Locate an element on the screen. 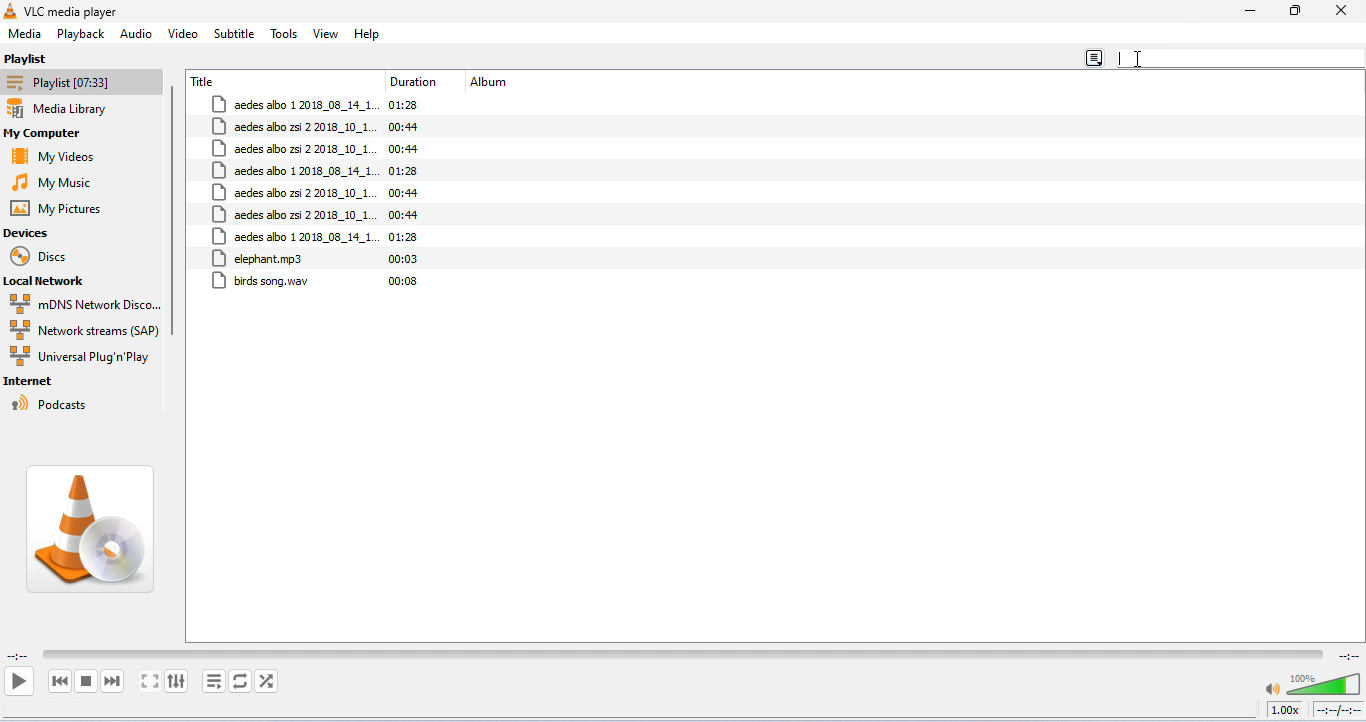 The image size is (1366, 722). toggle between loop is located at coordinates (239, 681).